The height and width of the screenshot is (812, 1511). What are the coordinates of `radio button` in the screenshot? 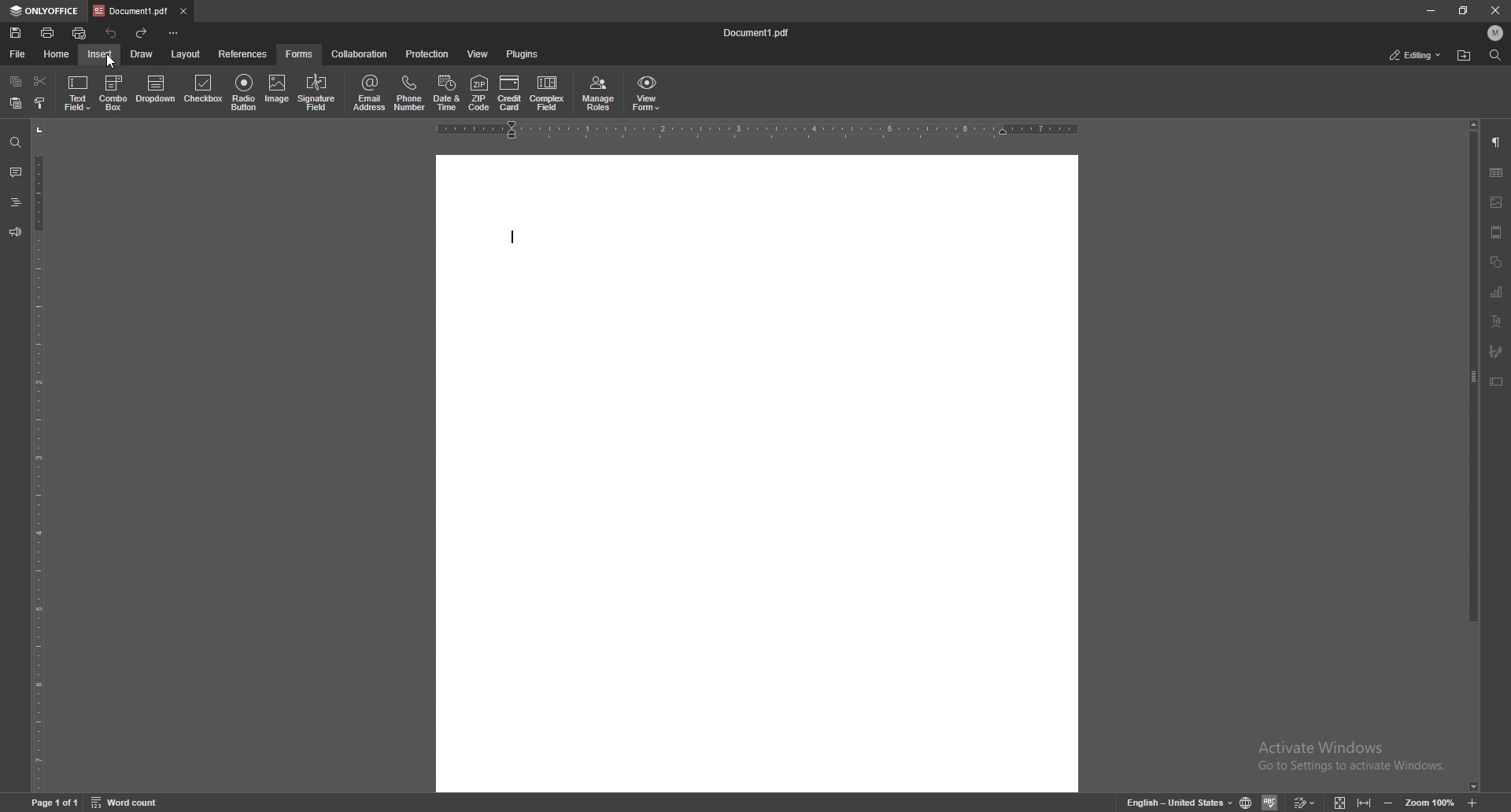 It's located at (244, 93).